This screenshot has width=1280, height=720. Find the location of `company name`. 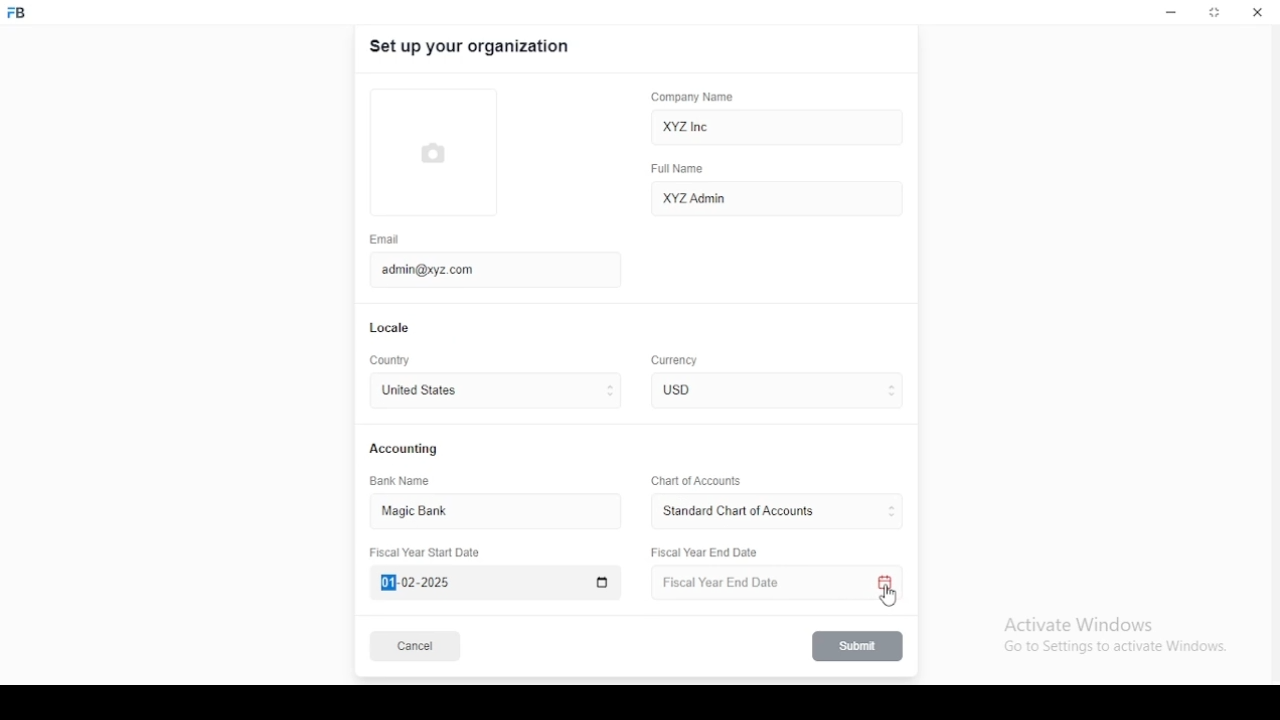

company name is located at coordinates (692, 97).